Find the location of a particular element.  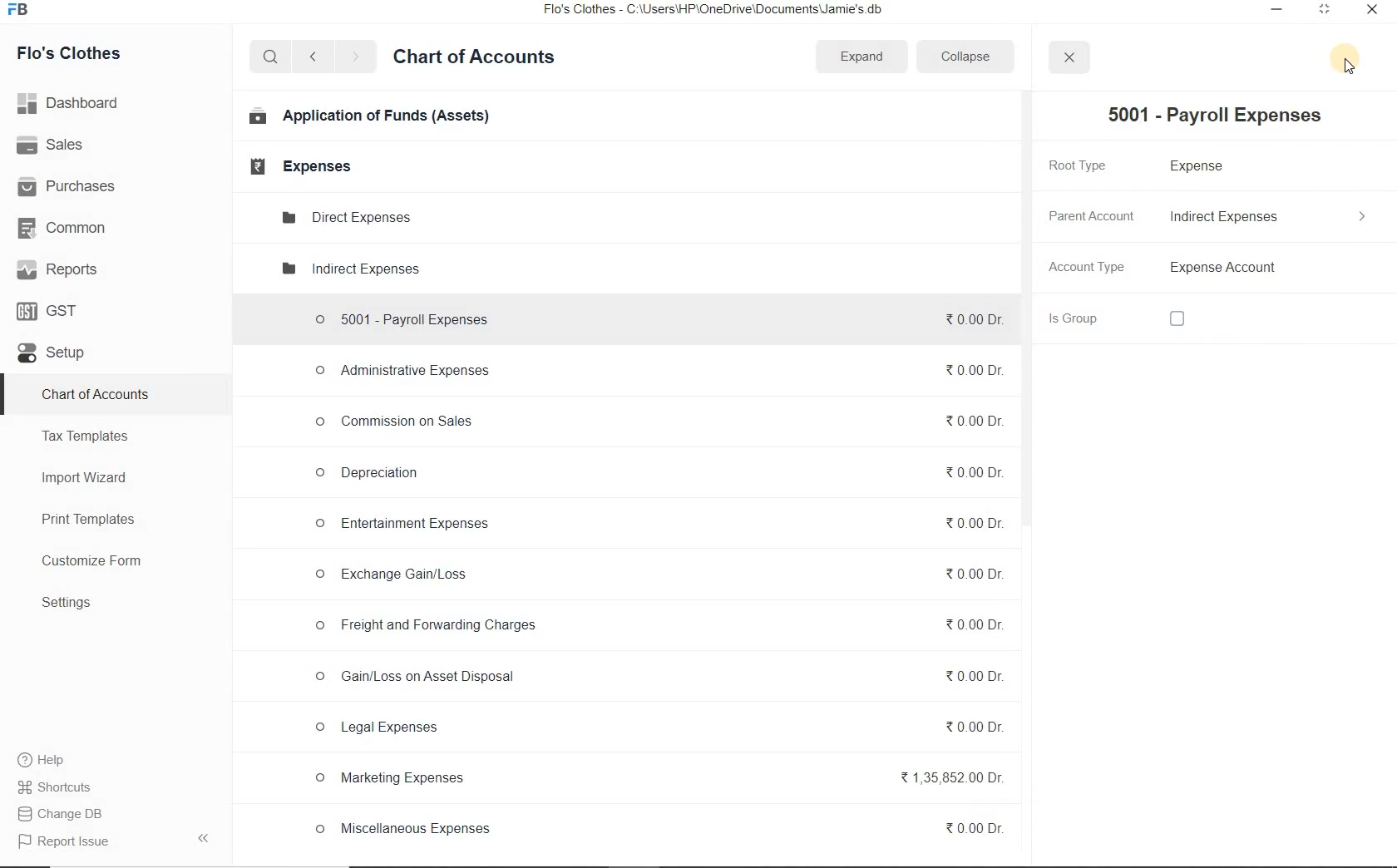

© Depreciation 20.000r is located at coordinates (656, 471).